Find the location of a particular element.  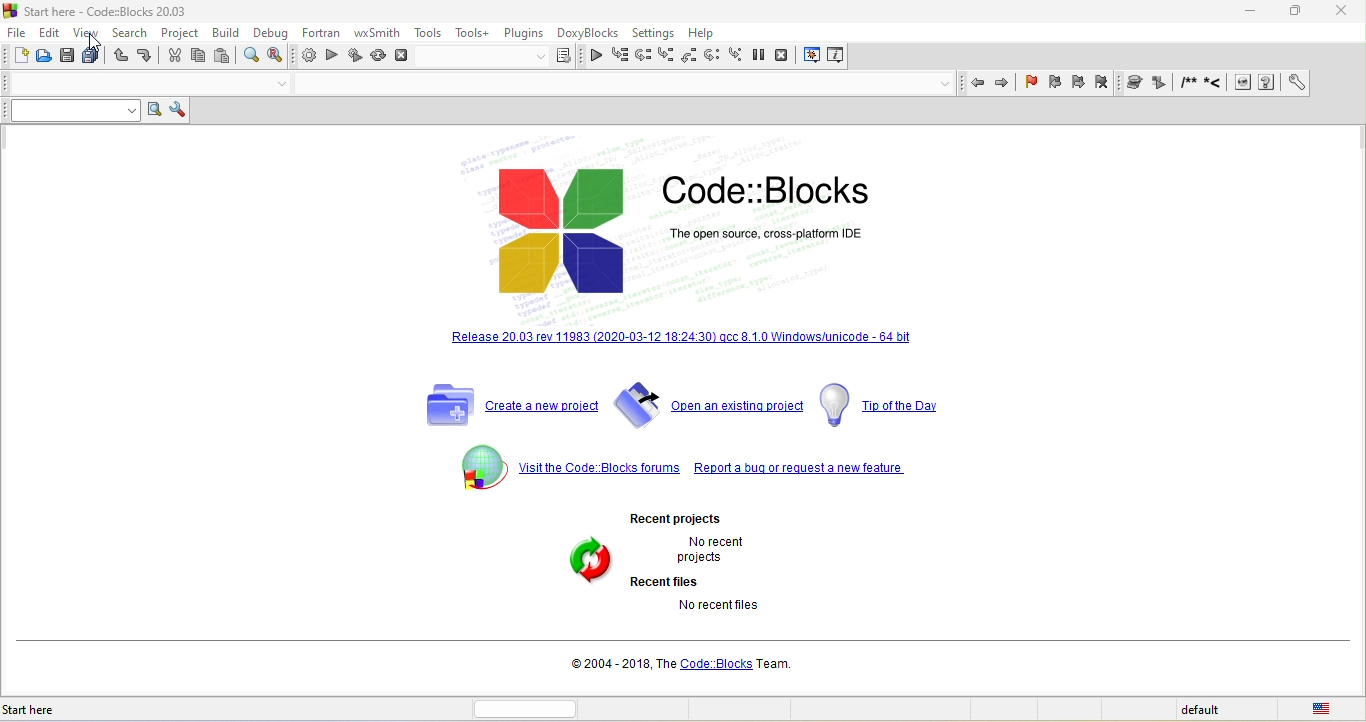

open an existing project is located at coordinates (711, 404).